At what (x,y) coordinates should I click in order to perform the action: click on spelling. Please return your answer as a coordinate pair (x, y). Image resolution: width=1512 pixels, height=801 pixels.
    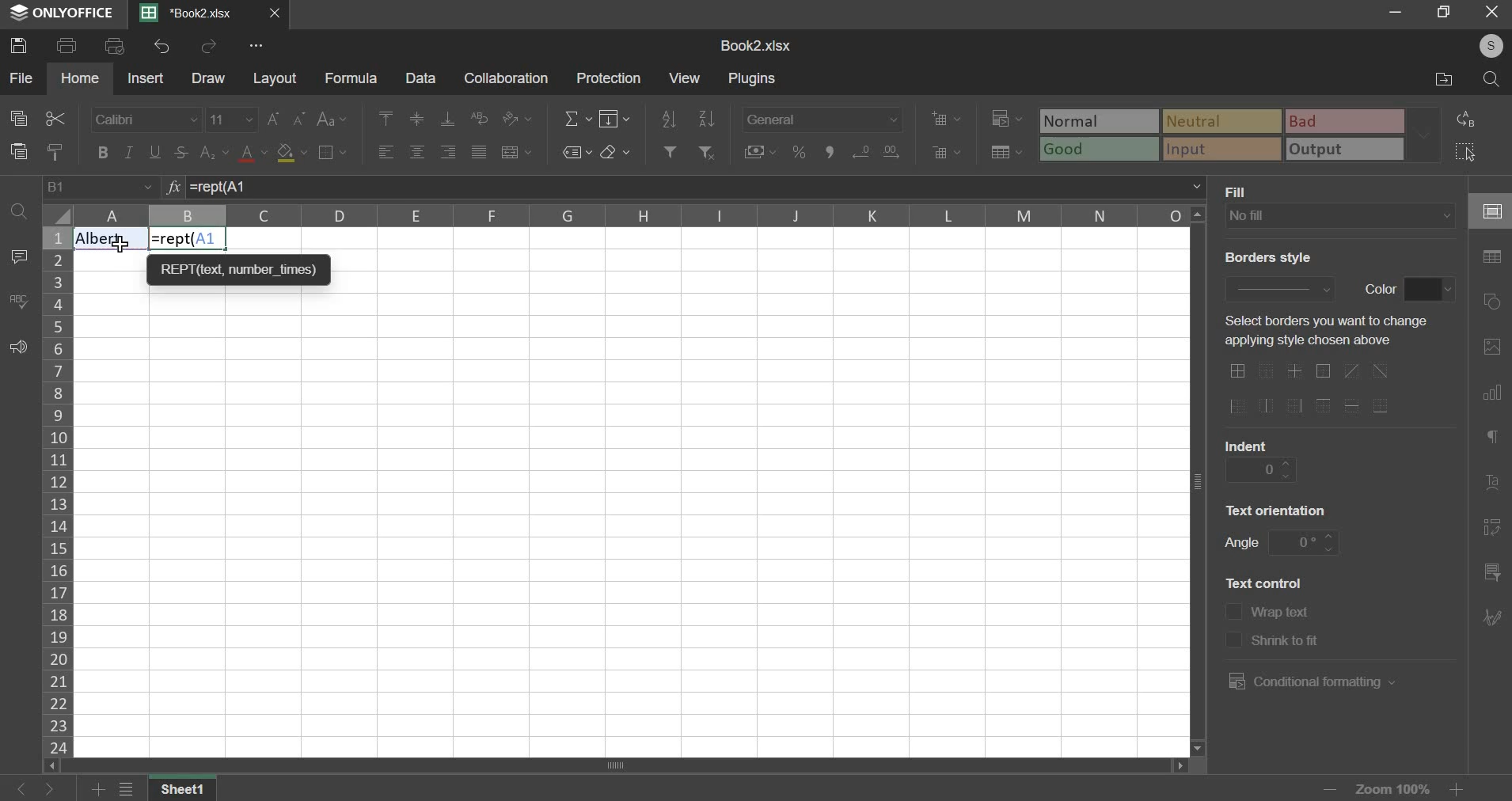
    Looking at the image, I should click on (18, 300).